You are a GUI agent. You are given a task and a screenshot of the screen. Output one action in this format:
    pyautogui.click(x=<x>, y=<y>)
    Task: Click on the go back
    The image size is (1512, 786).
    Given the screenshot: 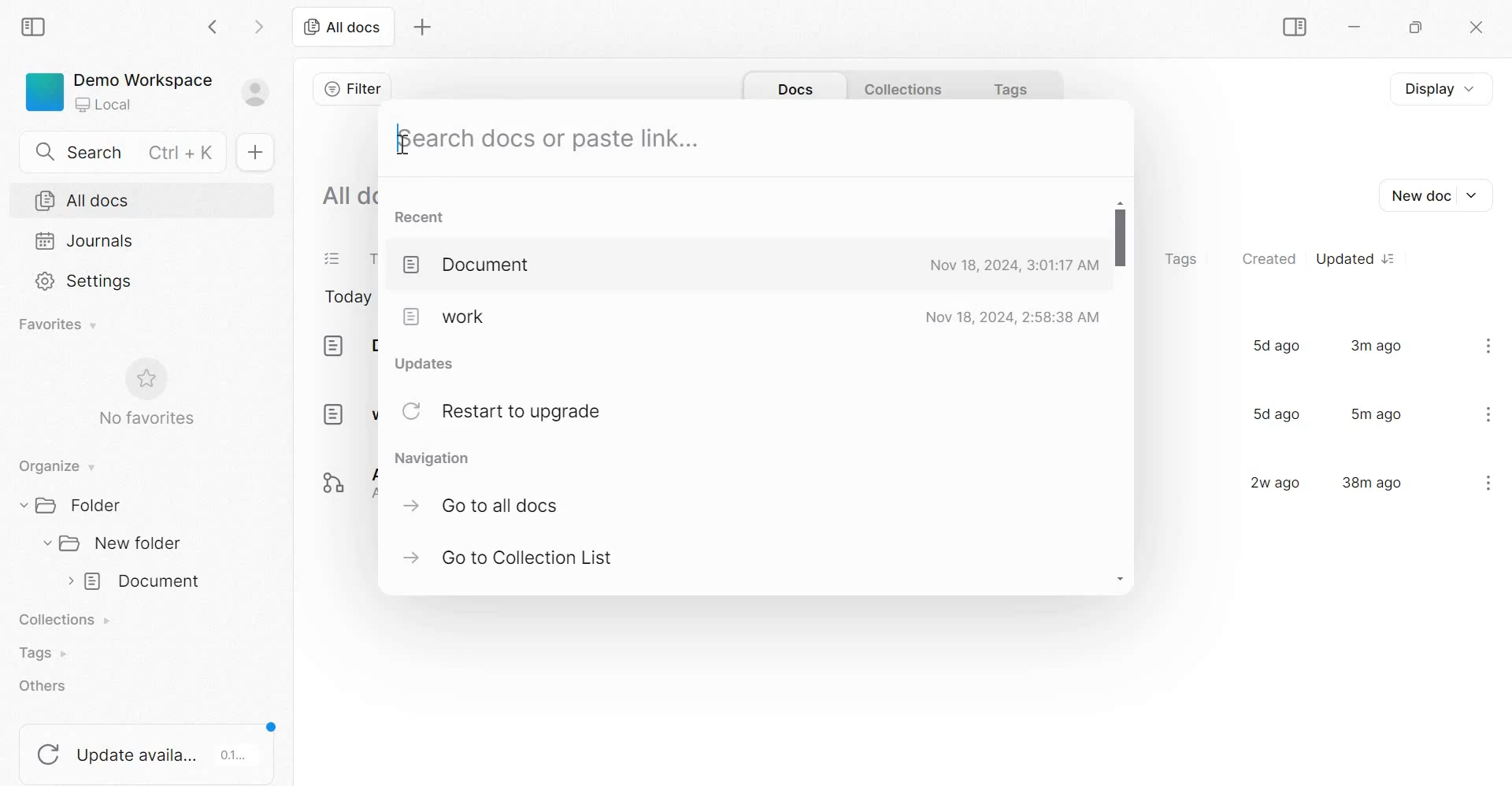 What is the action you would take?
    pyautogui.click(x=214, y=25)
    